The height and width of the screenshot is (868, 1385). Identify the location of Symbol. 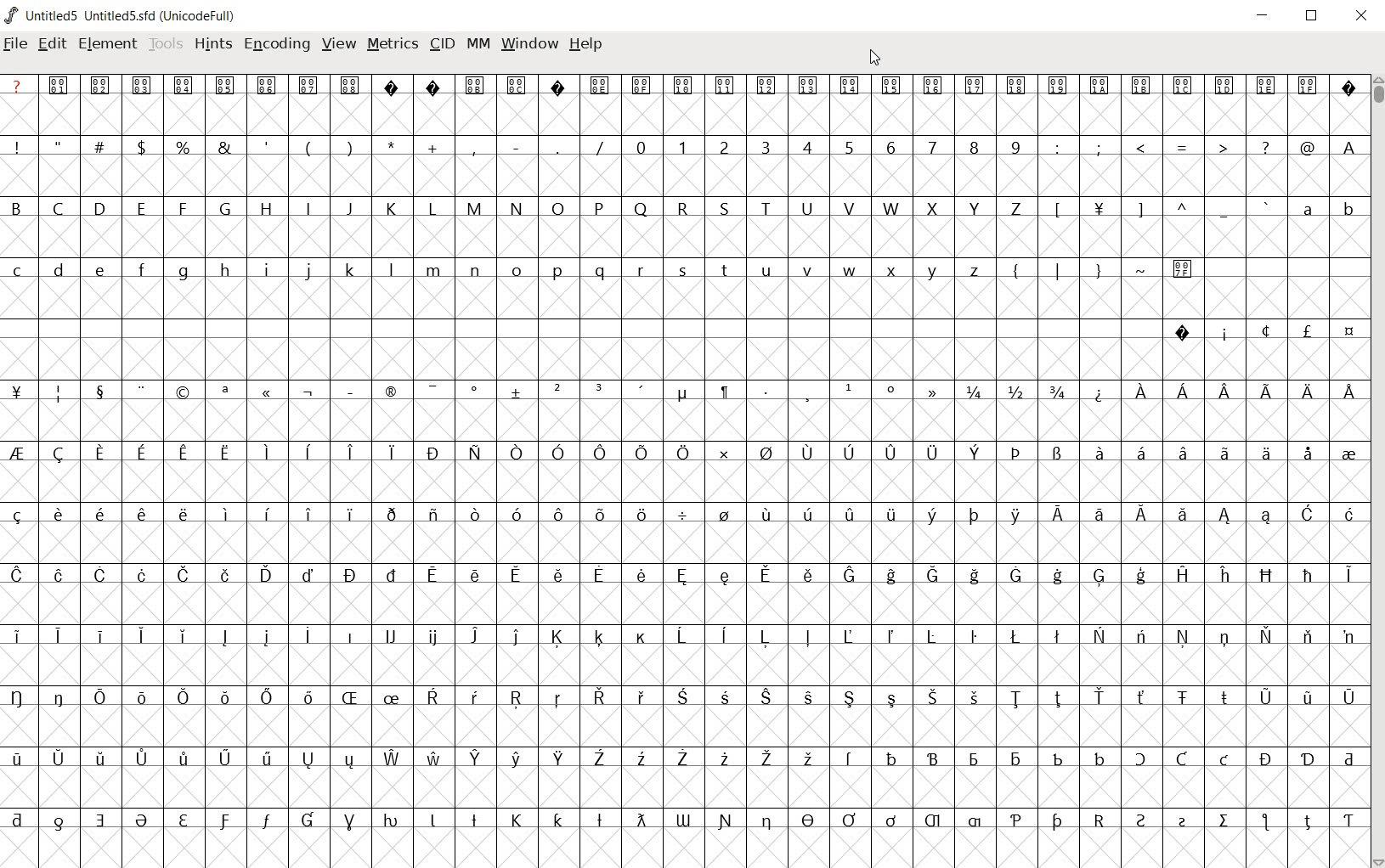
(686, 453).